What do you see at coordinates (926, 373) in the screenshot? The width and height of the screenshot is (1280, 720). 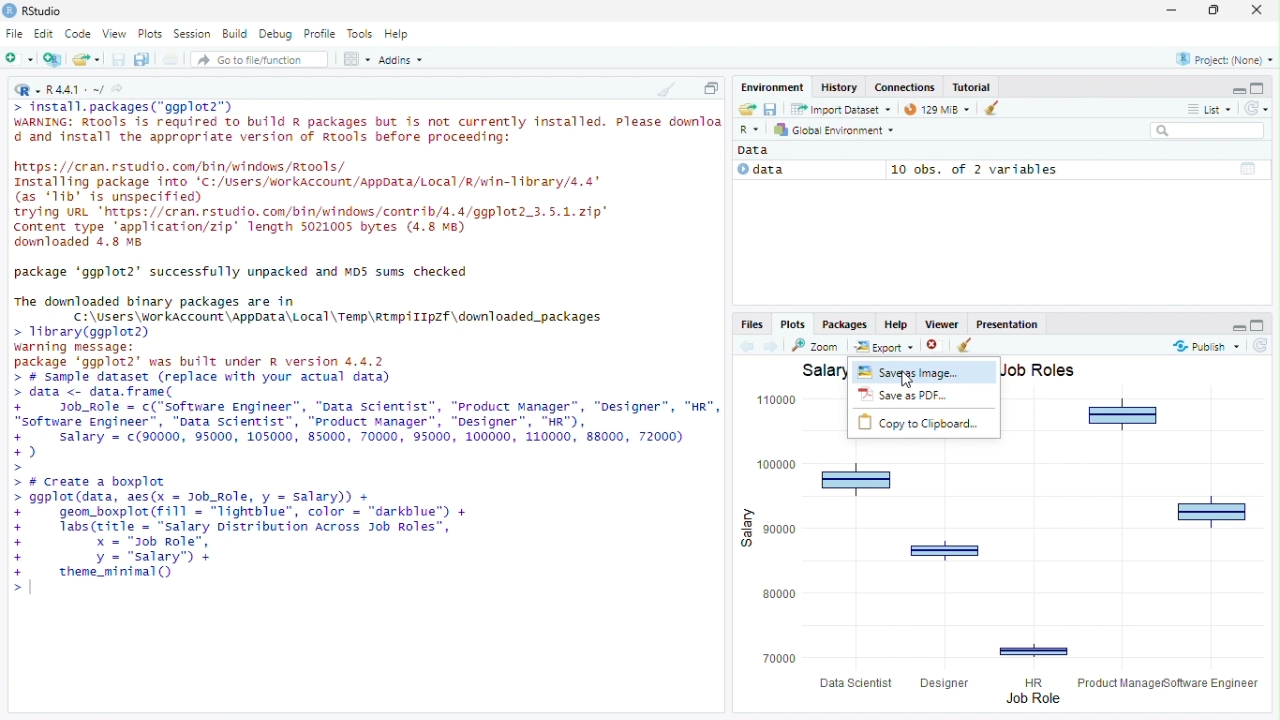 I see `Save as image` at bounding box center [926, 373].